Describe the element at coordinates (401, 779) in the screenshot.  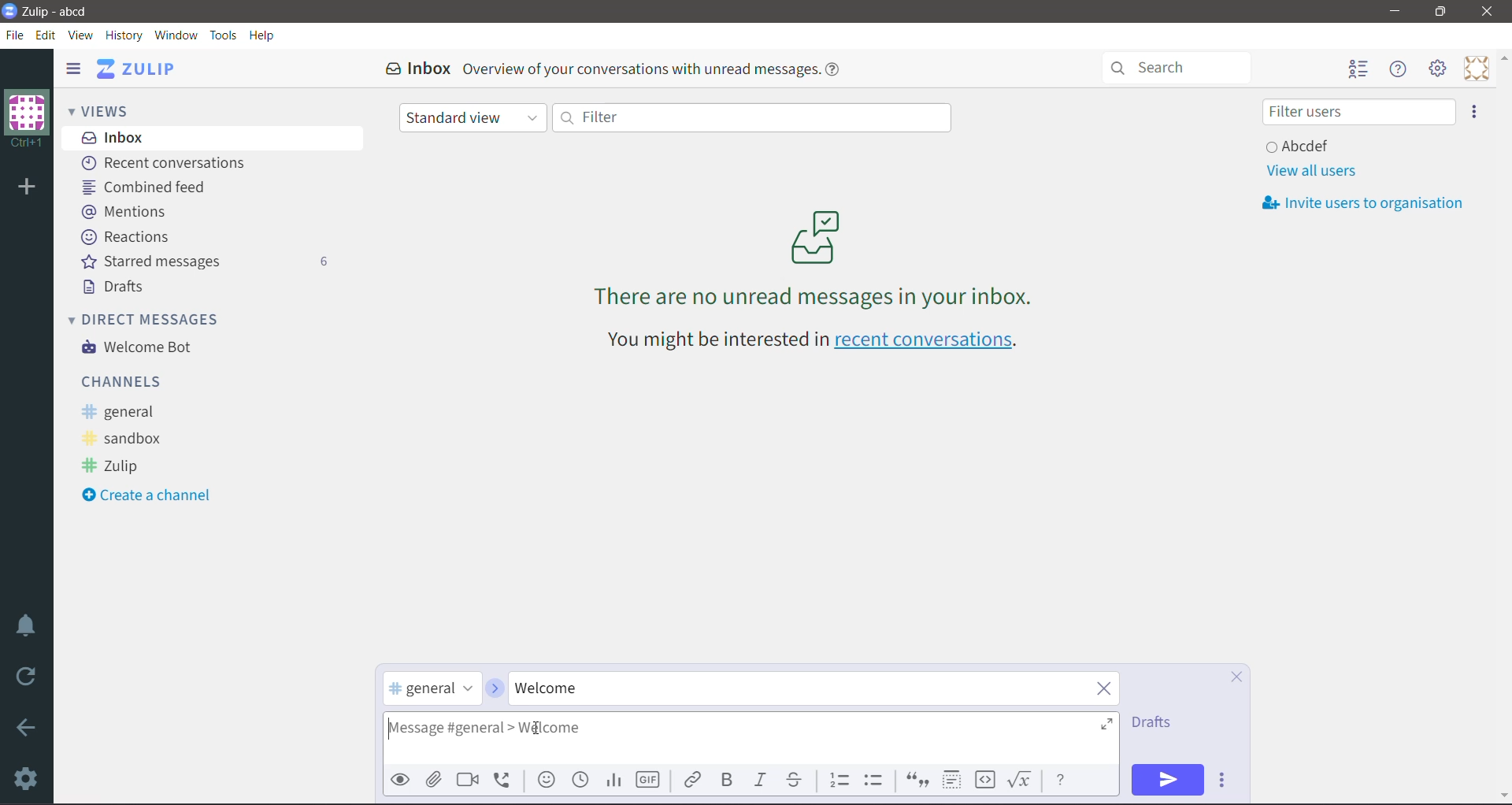
I see `Preview` at that location.